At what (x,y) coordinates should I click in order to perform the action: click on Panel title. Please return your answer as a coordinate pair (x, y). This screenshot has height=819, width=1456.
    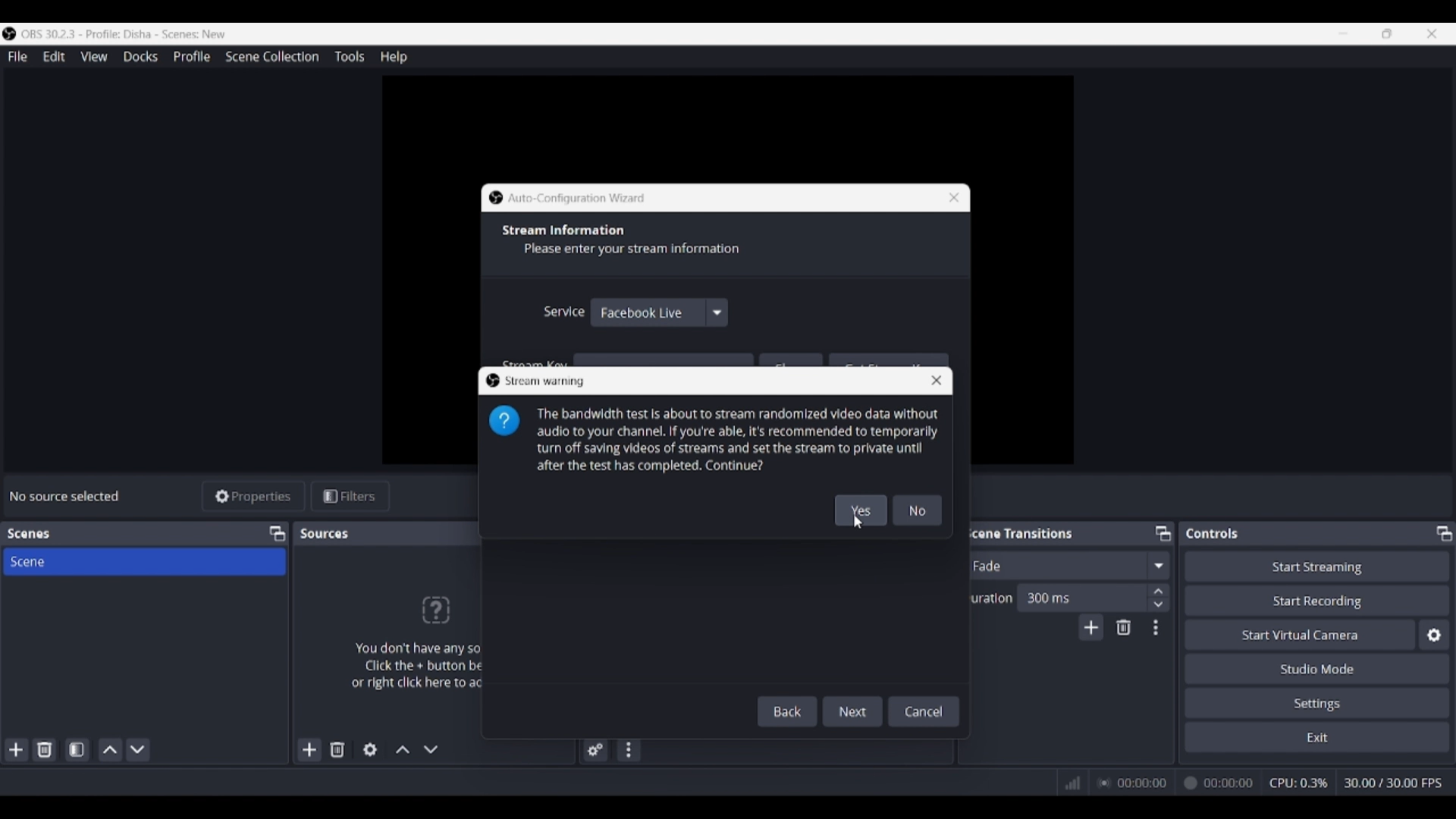
    Looking at the image, I should click on (1213, 533).